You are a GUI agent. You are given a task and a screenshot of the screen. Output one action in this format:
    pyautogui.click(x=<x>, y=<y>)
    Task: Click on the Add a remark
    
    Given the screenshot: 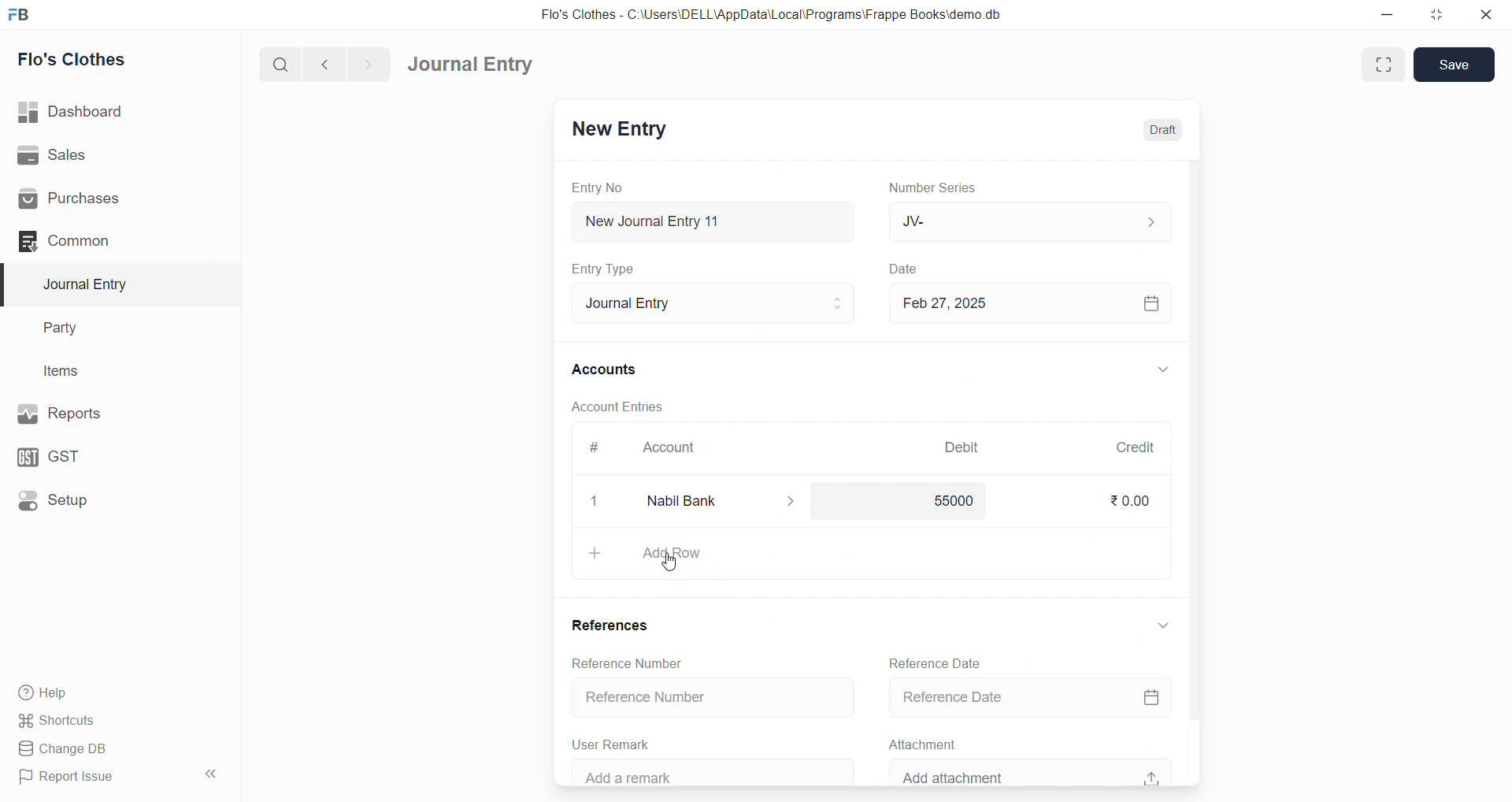 What is the action you would take?
    pyautogui.click(x=710, y=771)
    